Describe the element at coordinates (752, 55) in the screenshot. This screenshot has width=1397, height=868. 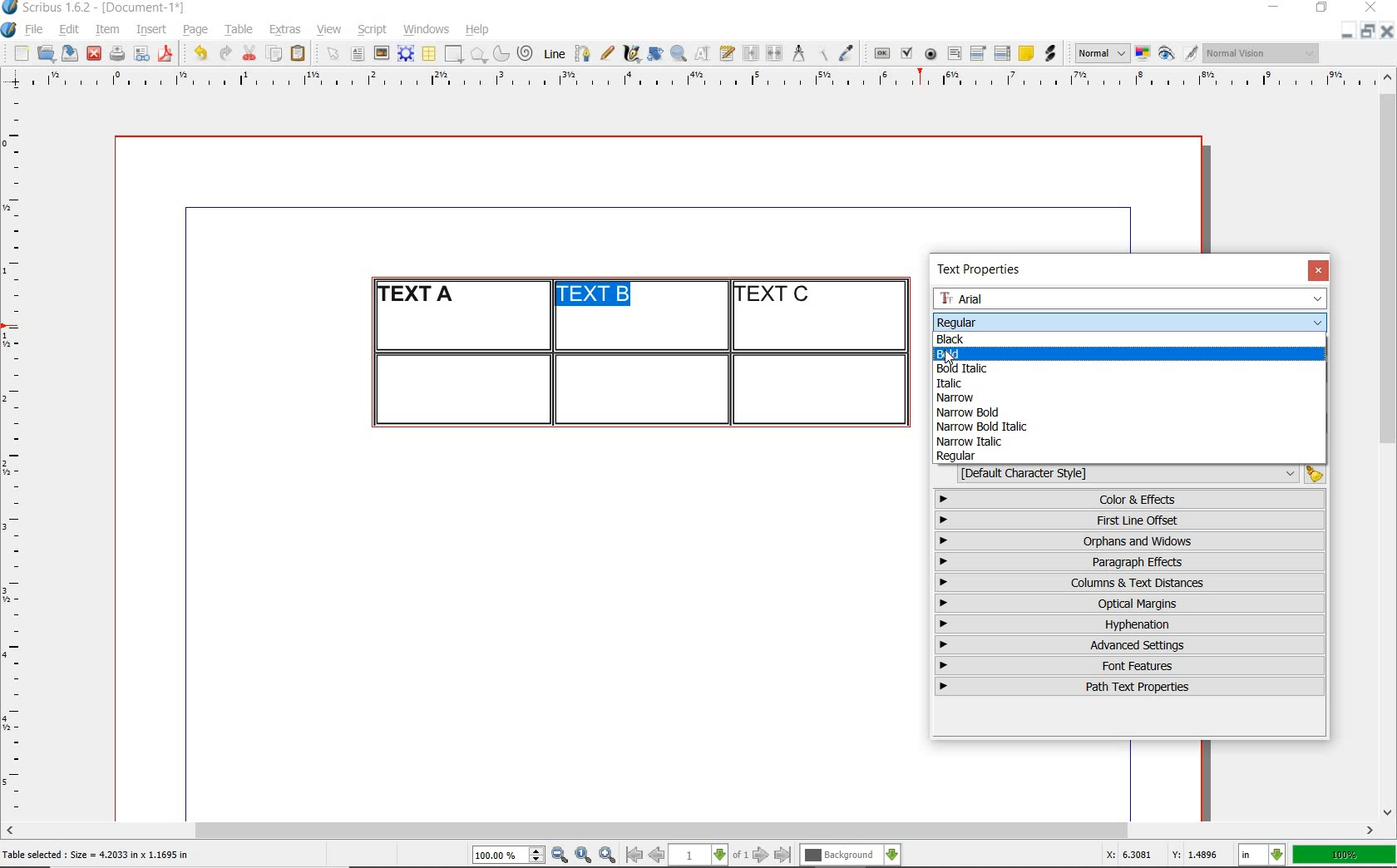
I see `link text frames` at that location.